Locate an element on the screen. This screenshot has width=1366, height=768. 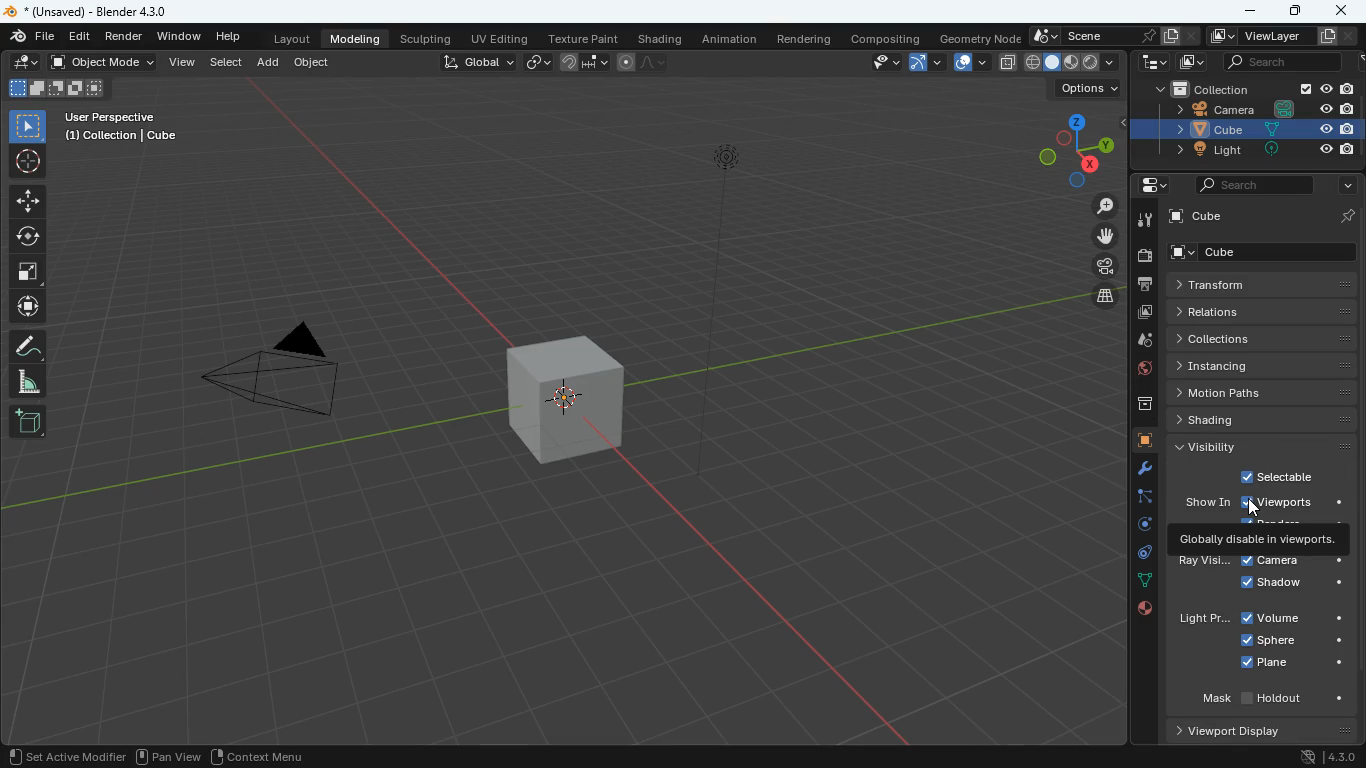
uv editing is located at coordinates (500, 38).